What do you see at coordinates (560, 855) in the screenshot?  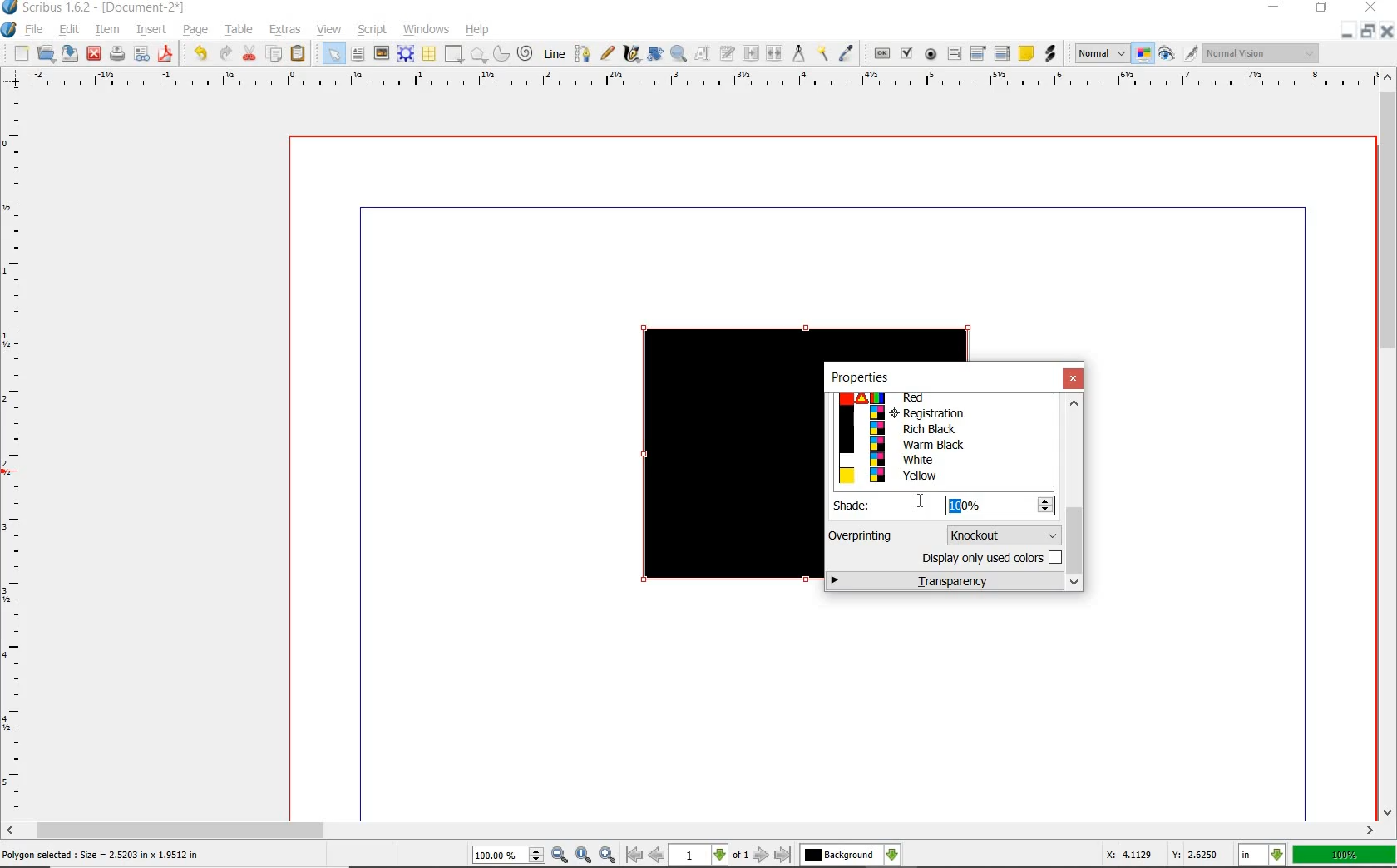 I see `zoom out` at bounding box center [560, 855].